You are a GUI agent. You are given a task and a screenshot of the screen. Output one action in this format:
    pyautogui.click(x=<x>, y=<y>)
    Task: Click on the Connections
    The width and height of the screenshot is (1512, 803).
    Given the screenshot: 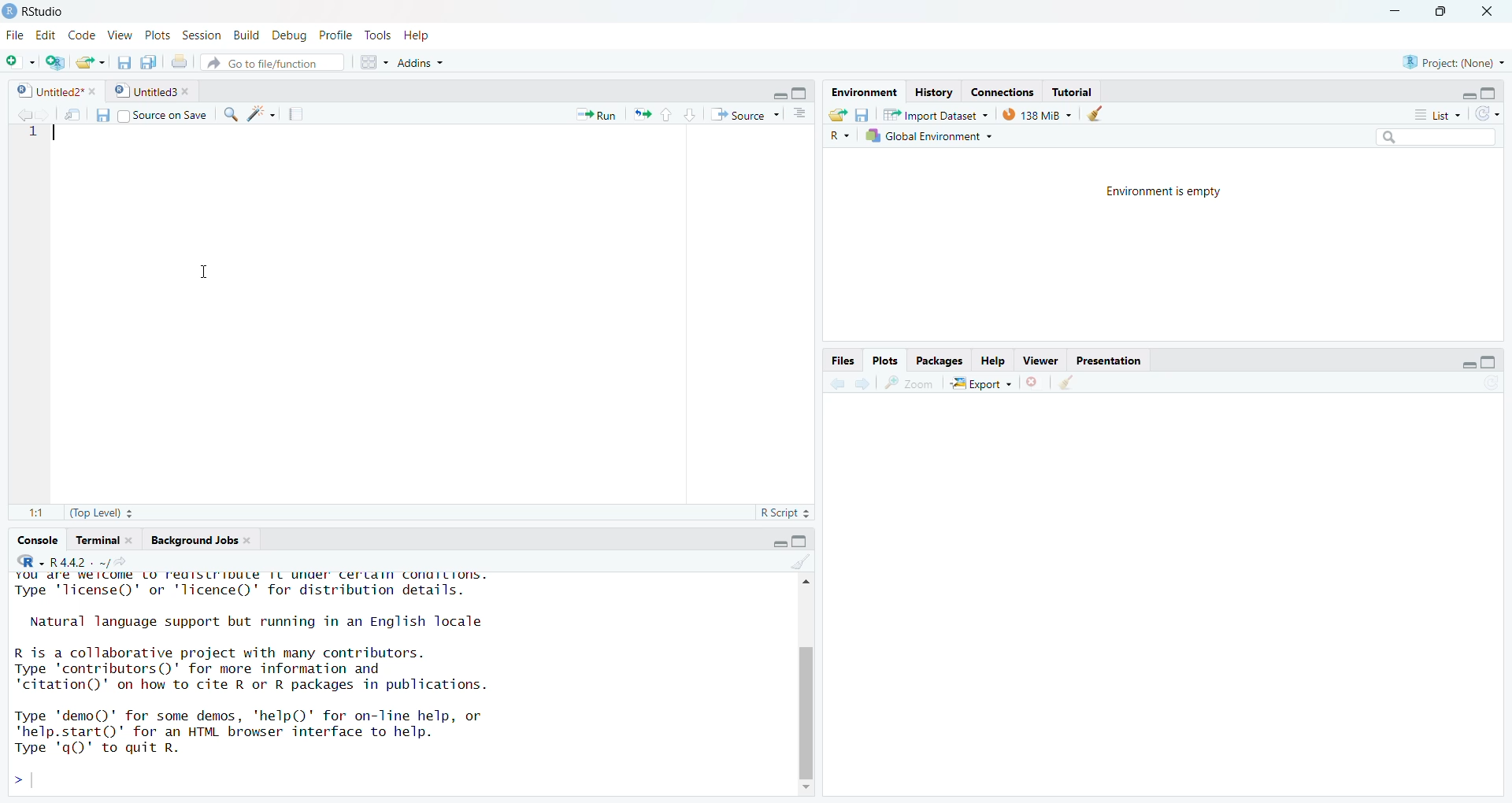 What is the action you would take?
    pyautogui.click(x=1001, y=90)
    